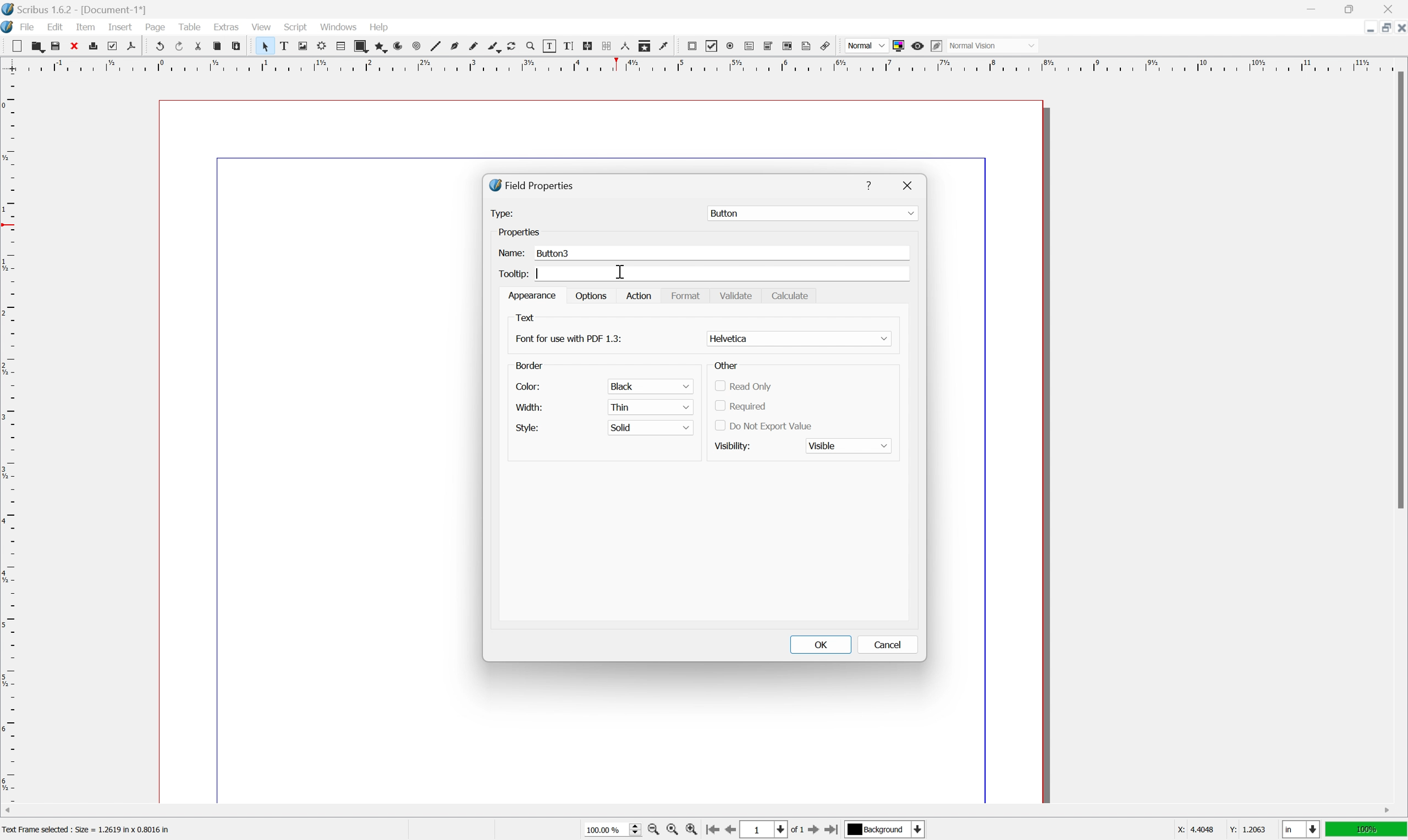  I want to click on go to next page, so click(812, 830).